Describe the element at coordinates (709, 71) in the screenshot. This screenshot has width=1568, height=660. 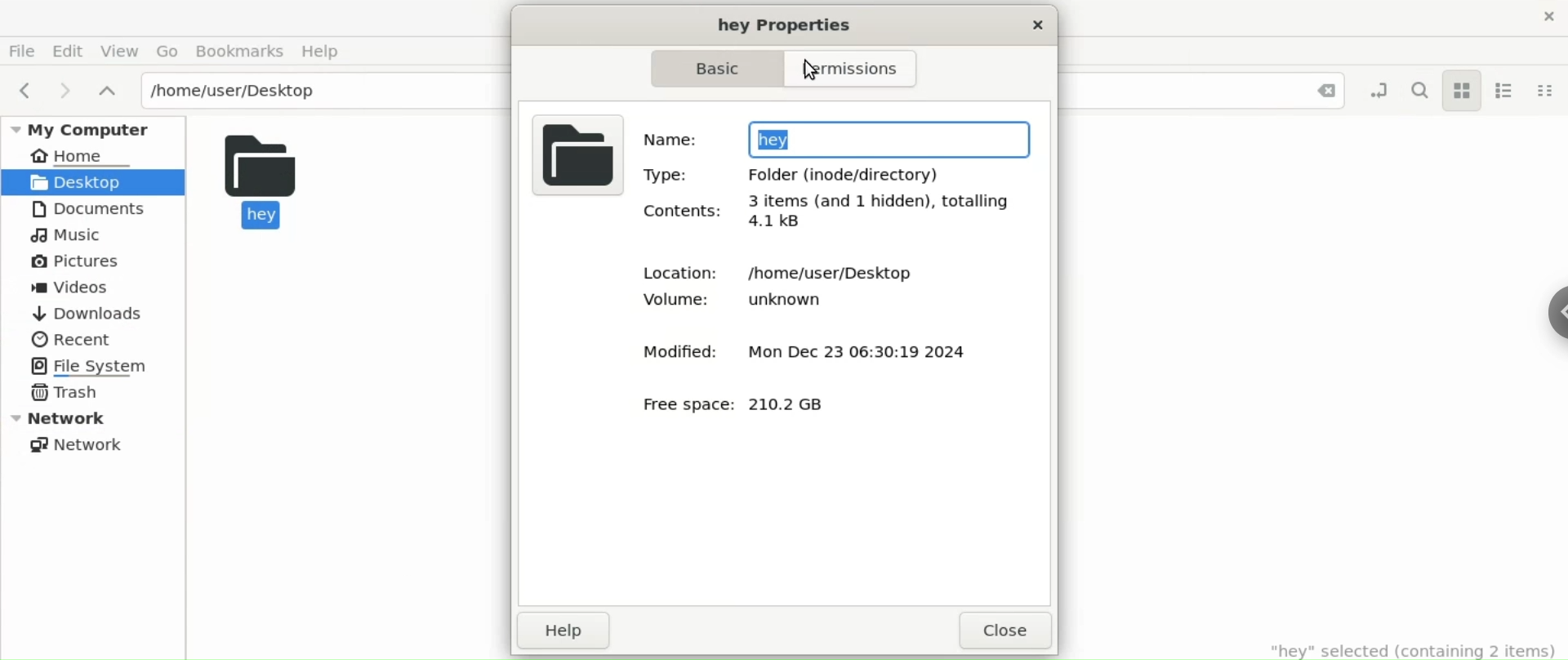
I see `basic` at that location.